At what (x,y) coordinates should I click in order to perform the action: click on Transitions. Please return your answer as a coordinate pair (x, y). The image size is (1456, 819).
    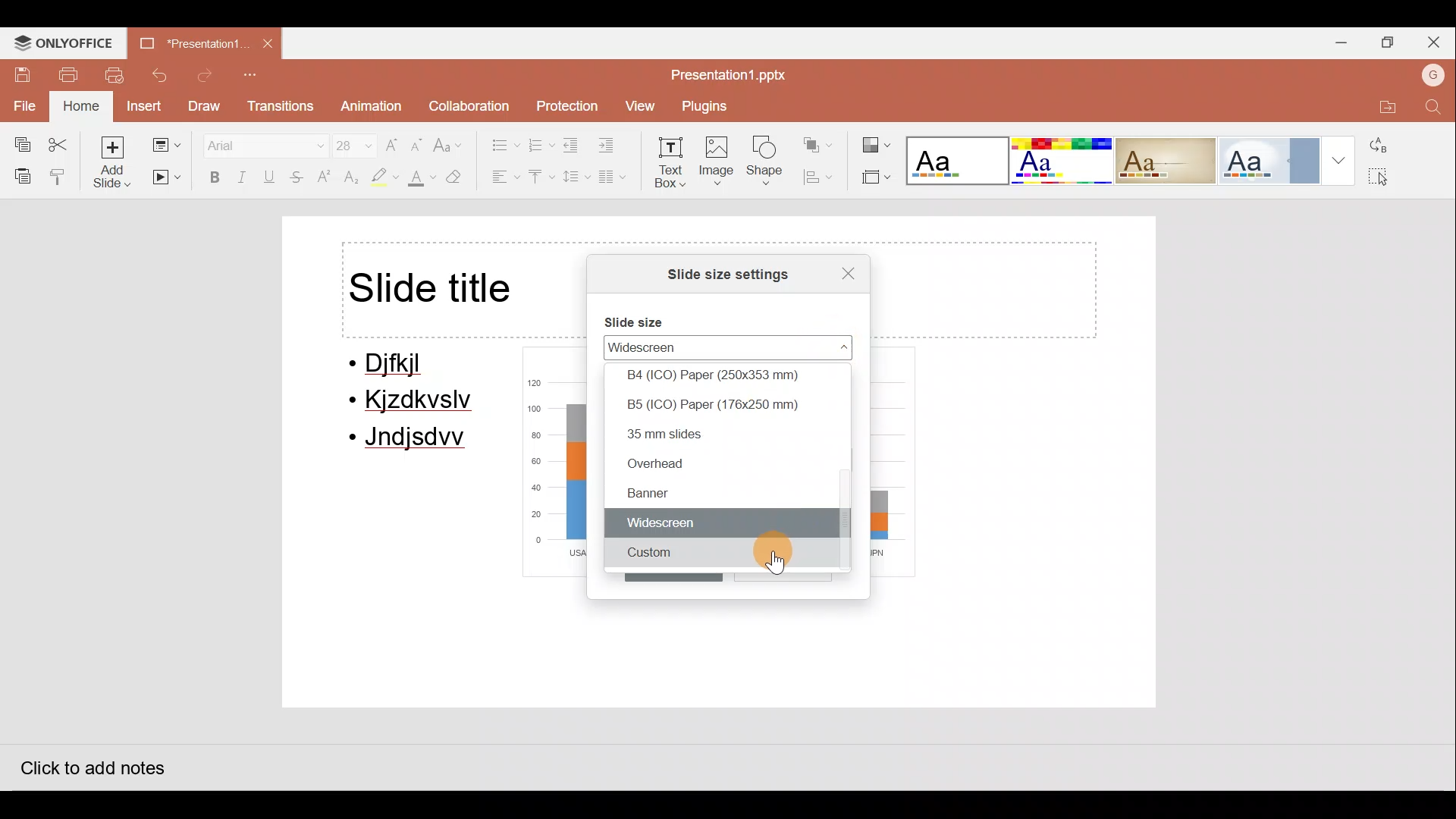
    Looking at the image, I should click on (279, 107).